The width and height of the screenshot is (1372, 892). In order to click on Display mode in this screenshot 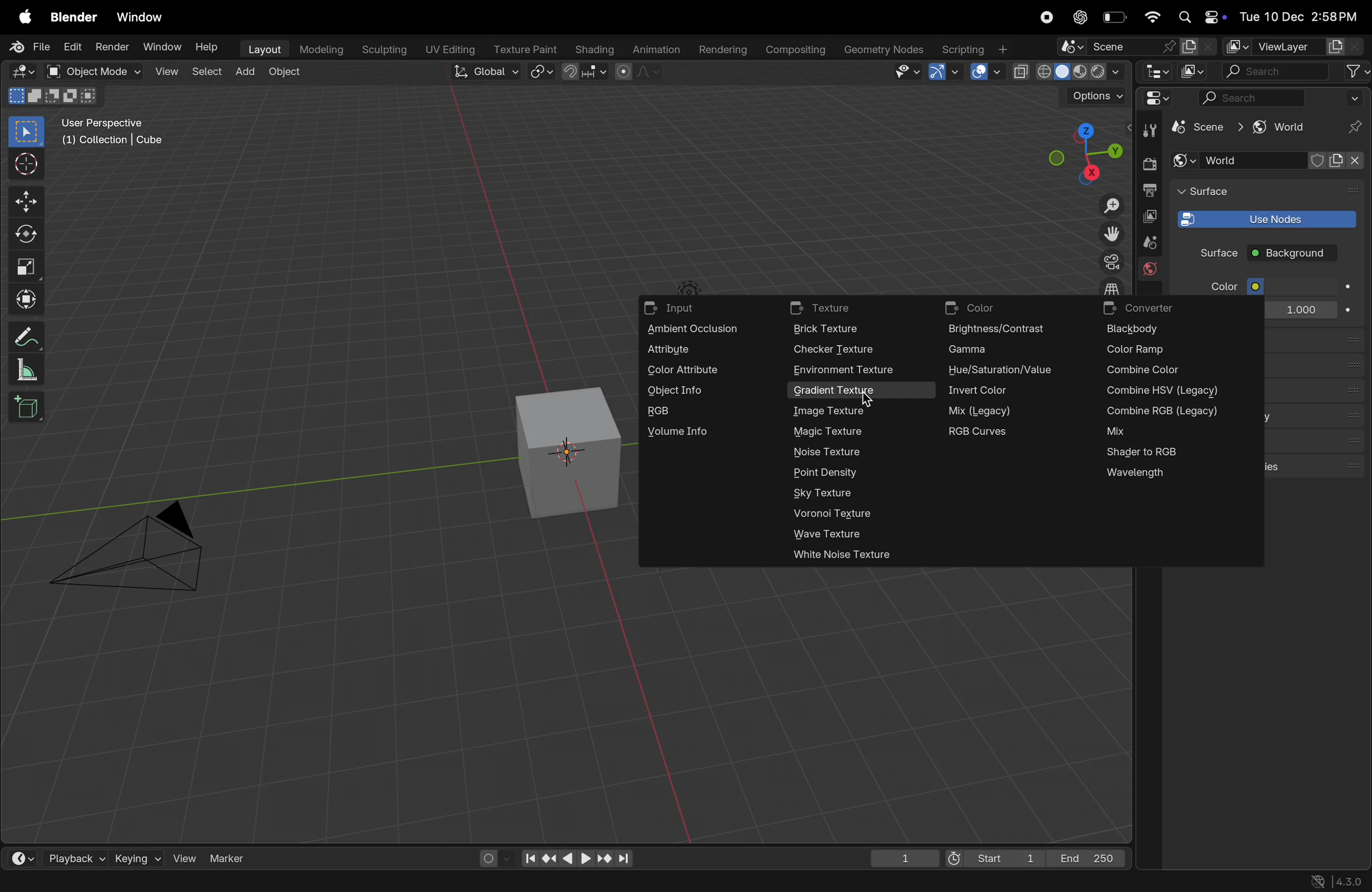, I will do `click(1194, 71)`.